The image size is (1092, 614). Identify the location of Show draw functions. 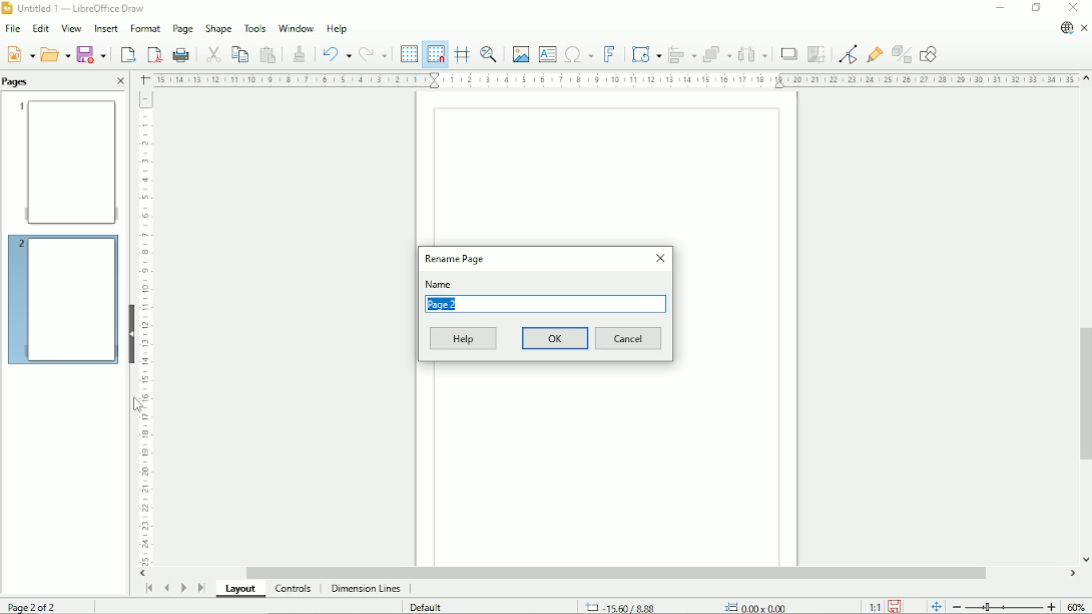
(928, 54).